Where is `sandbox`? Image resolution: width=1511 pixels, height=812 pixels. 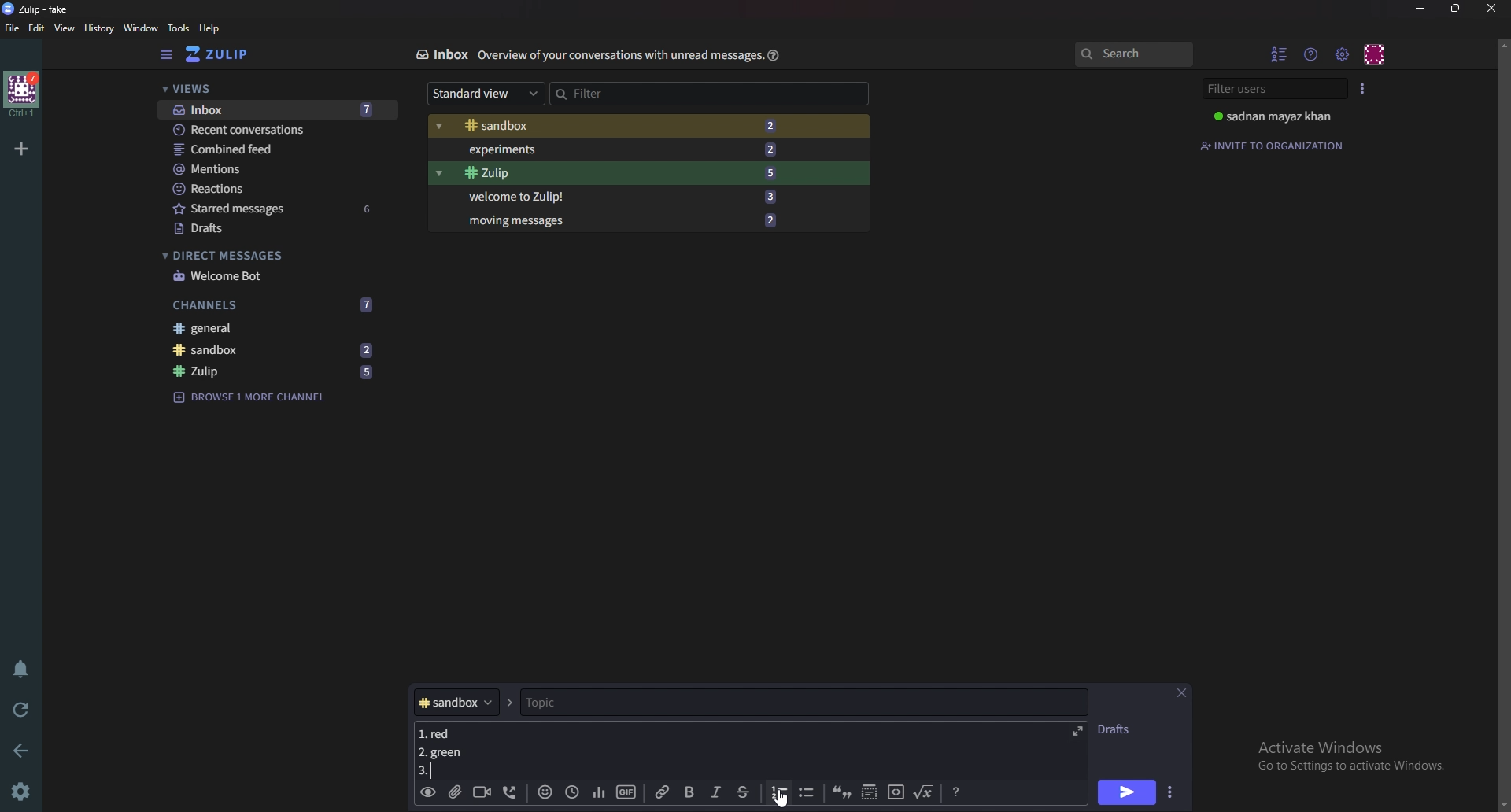
sandbox is located at coordinates (278, 350).